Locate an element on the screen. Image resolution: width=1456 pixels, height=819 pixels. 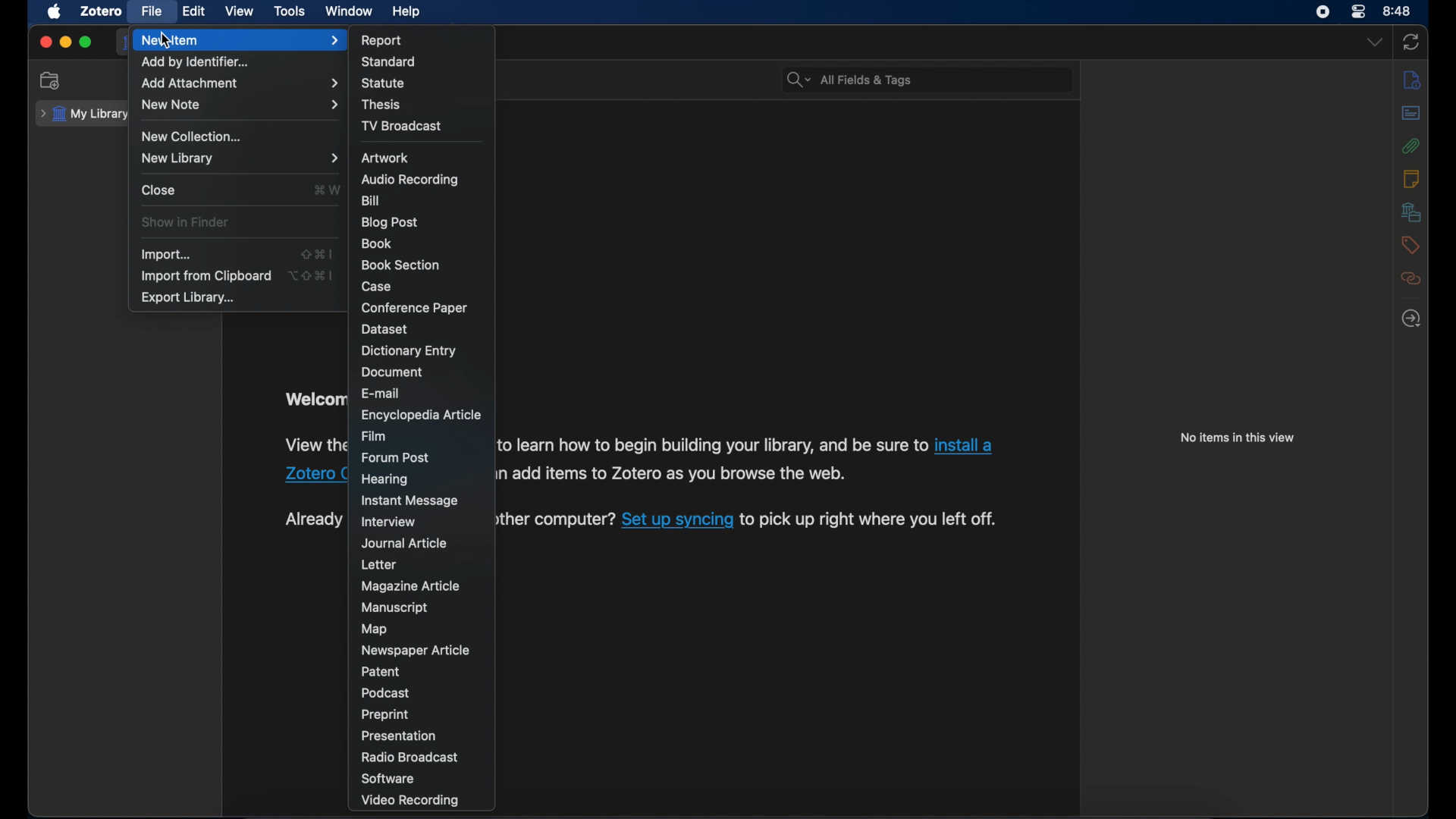
presentation is located at coordinates (399, 736).